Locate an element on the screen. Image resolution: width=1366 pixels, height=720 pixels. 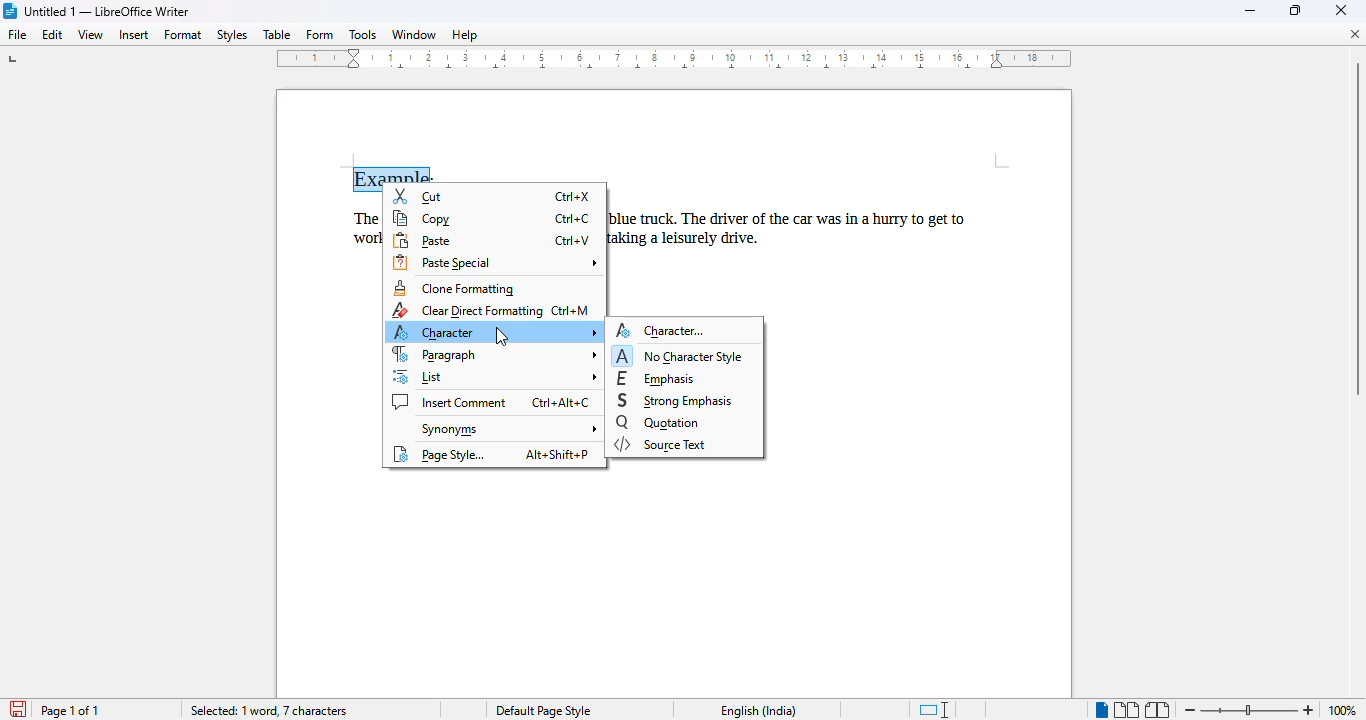
paste special is located at coordinates (496, 262).